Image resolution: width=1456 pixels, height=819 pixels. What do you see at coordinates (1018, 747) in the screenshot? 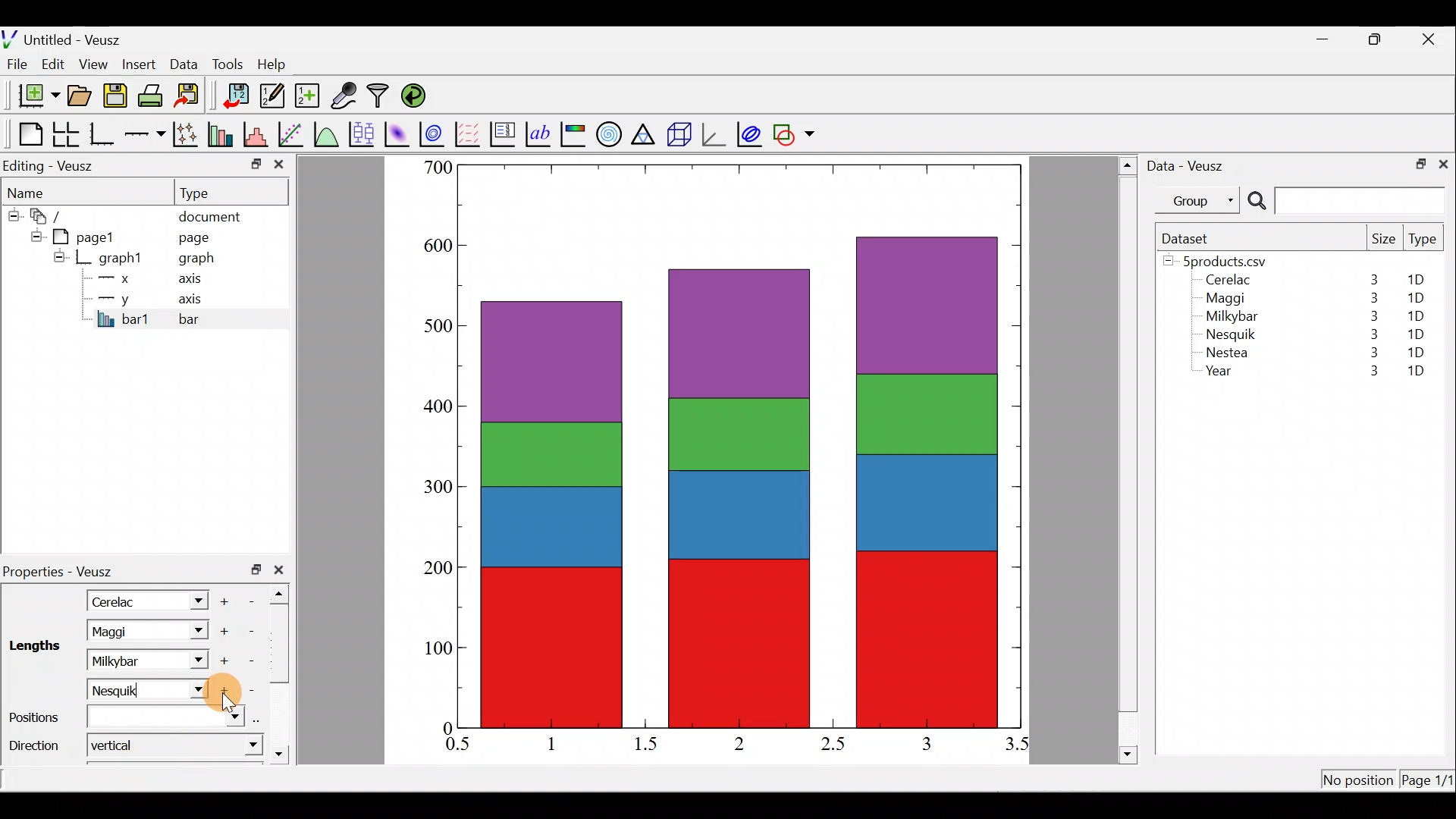
I see `3.5` at bounding box center [1018, 747].